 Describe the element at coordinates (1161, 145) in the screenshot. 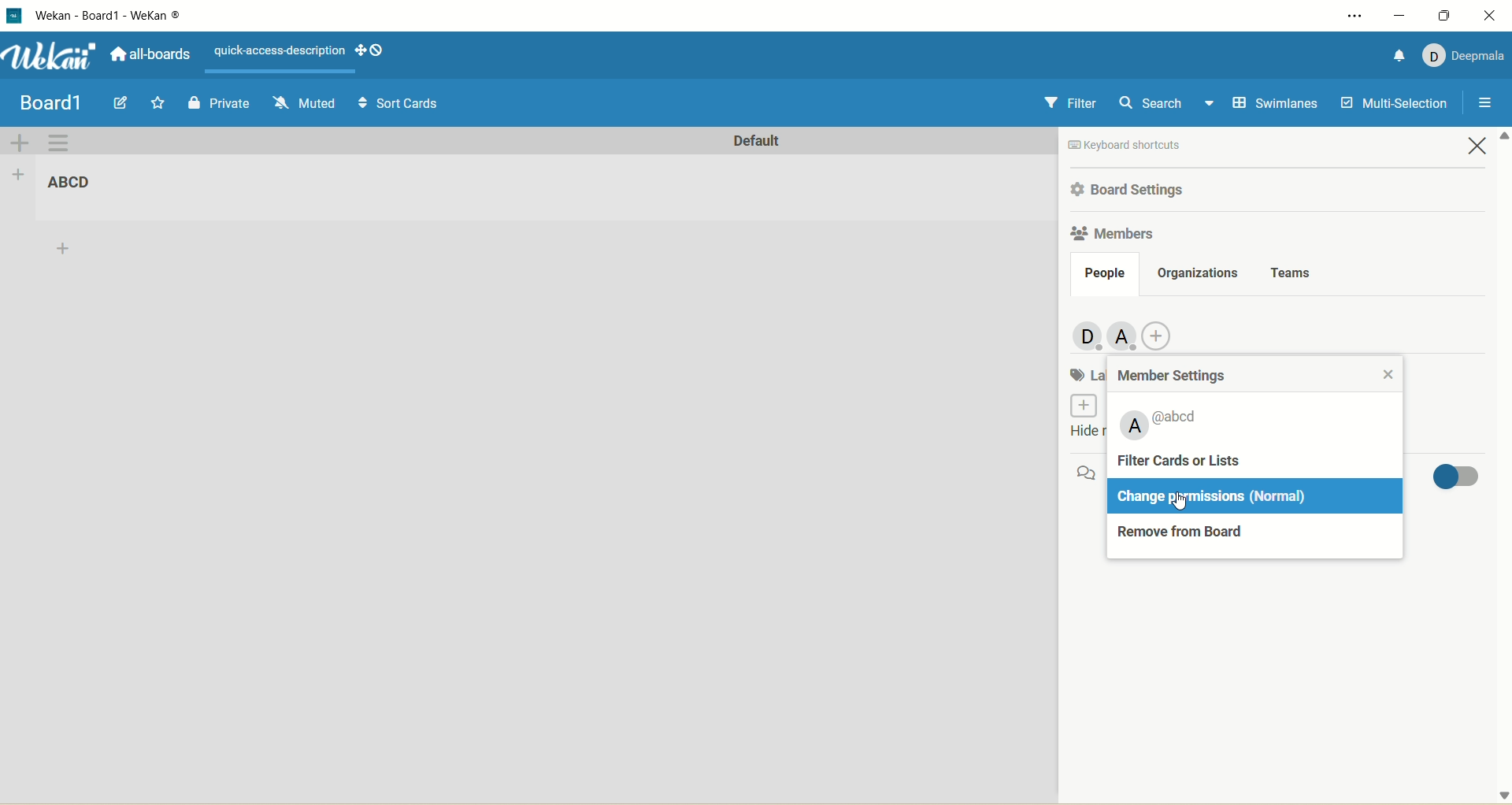

I see `text` at that location.